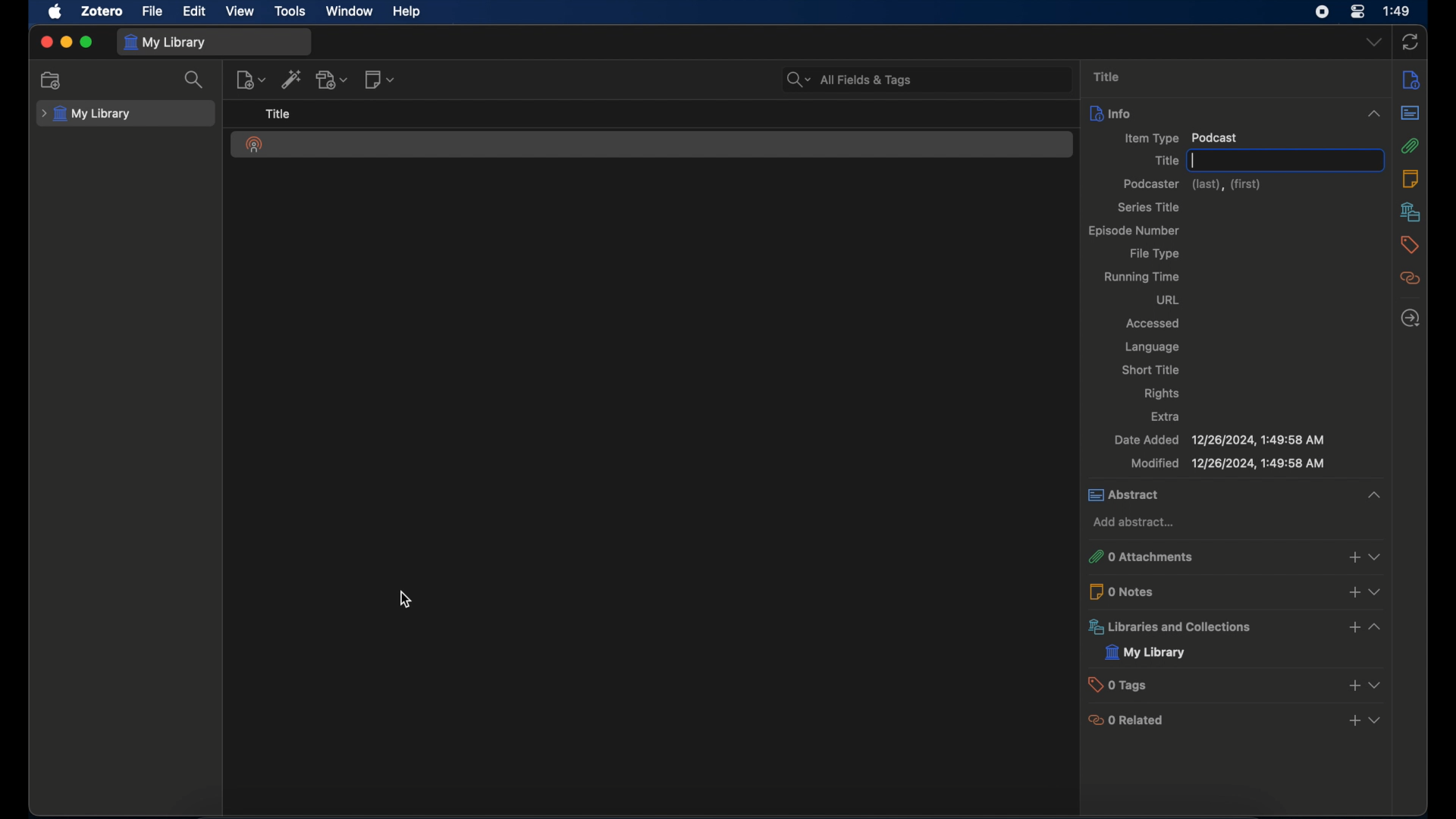 The height and width of the screenshot is (819, 1456). What do you see at coordinates (1235, 557) in the screenshot?
I see `0 attachments` at bounding box center [1235, 557].